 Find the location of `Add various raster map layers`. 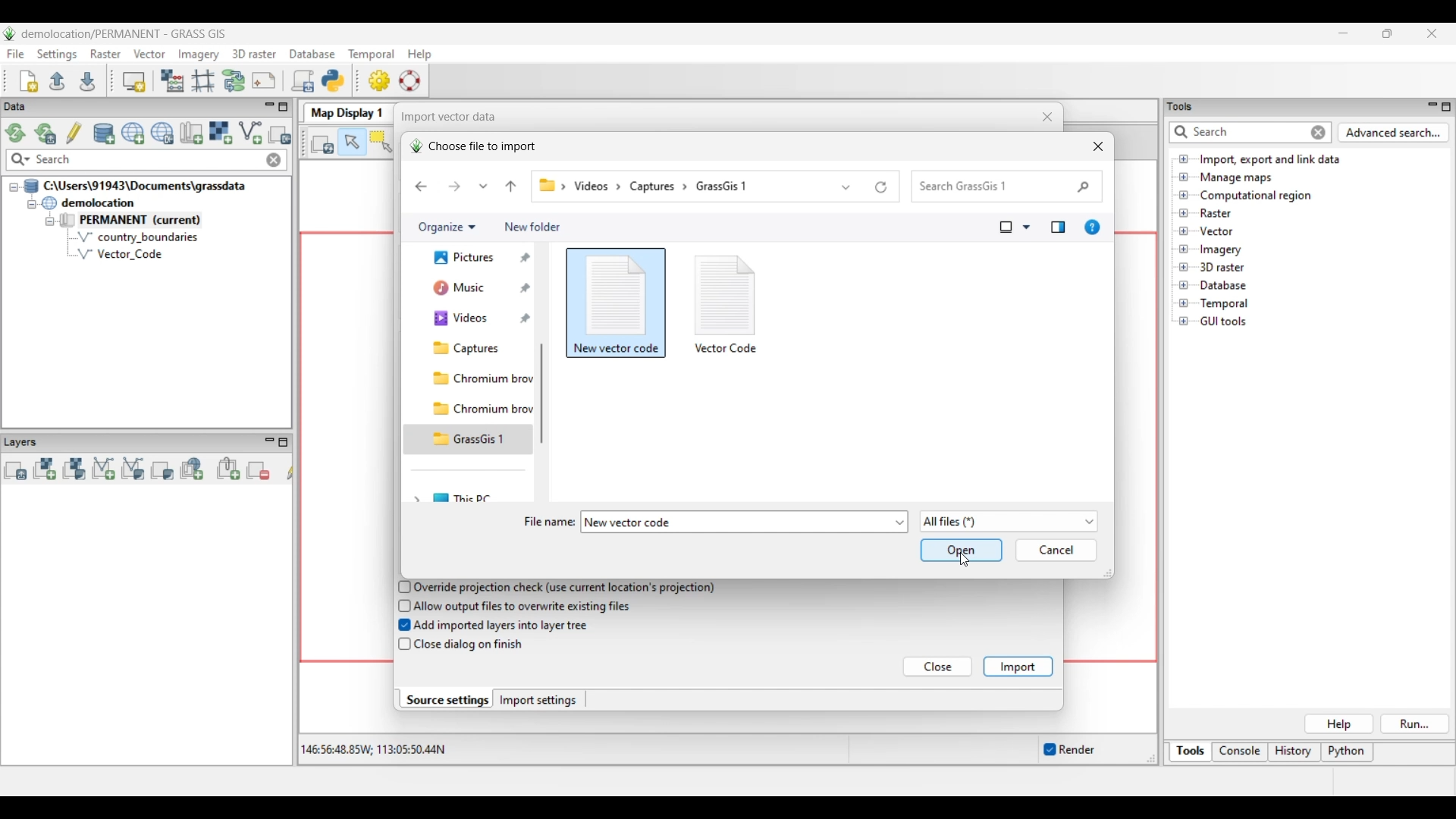

Add various raster map layers is located at coordinates (74, 469).